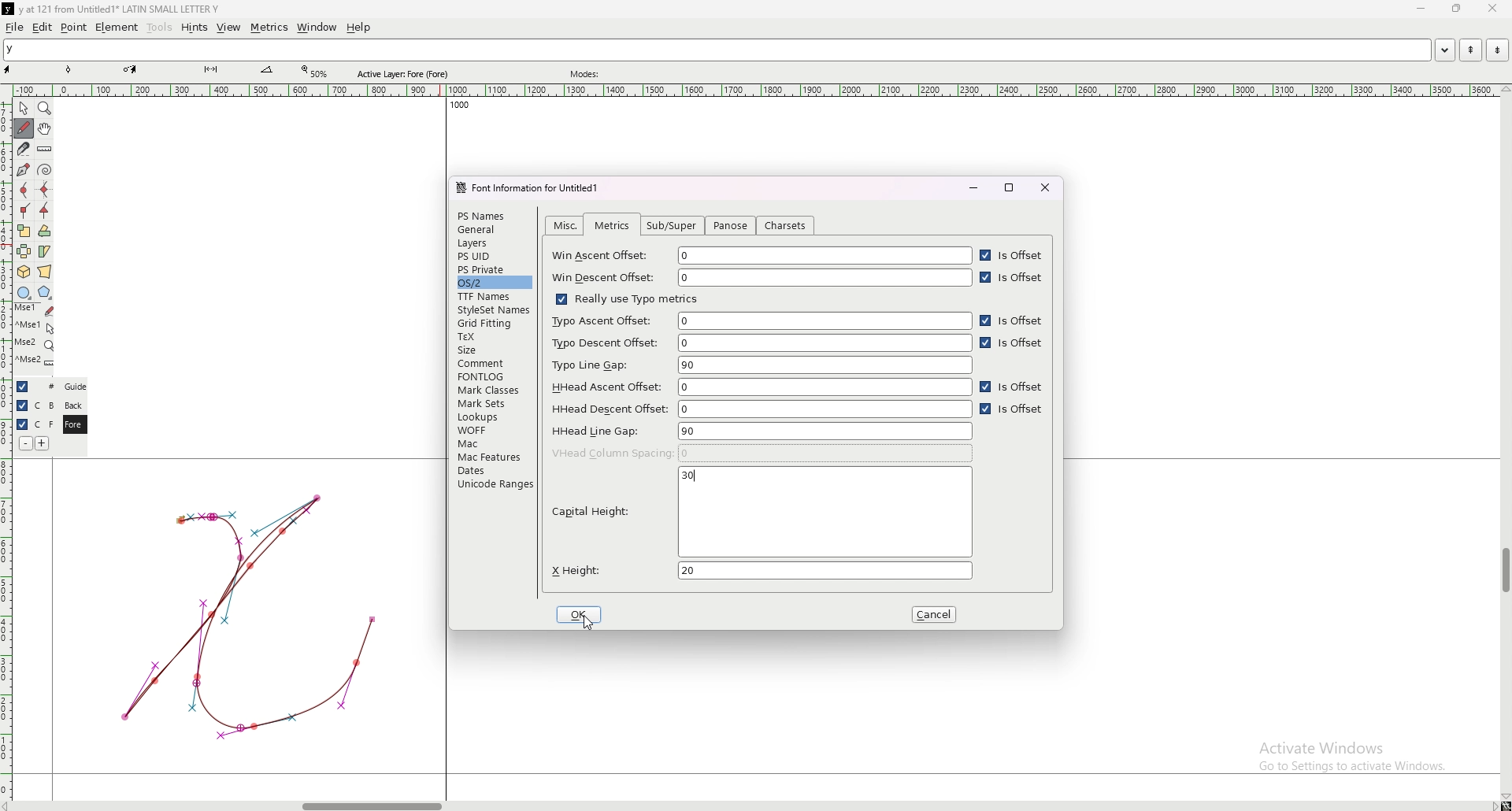 The height and width of the screenshot is (811, 1512). Describe the element at coordinates (585, 624) in the screenshot. I see `cursor` at that location.